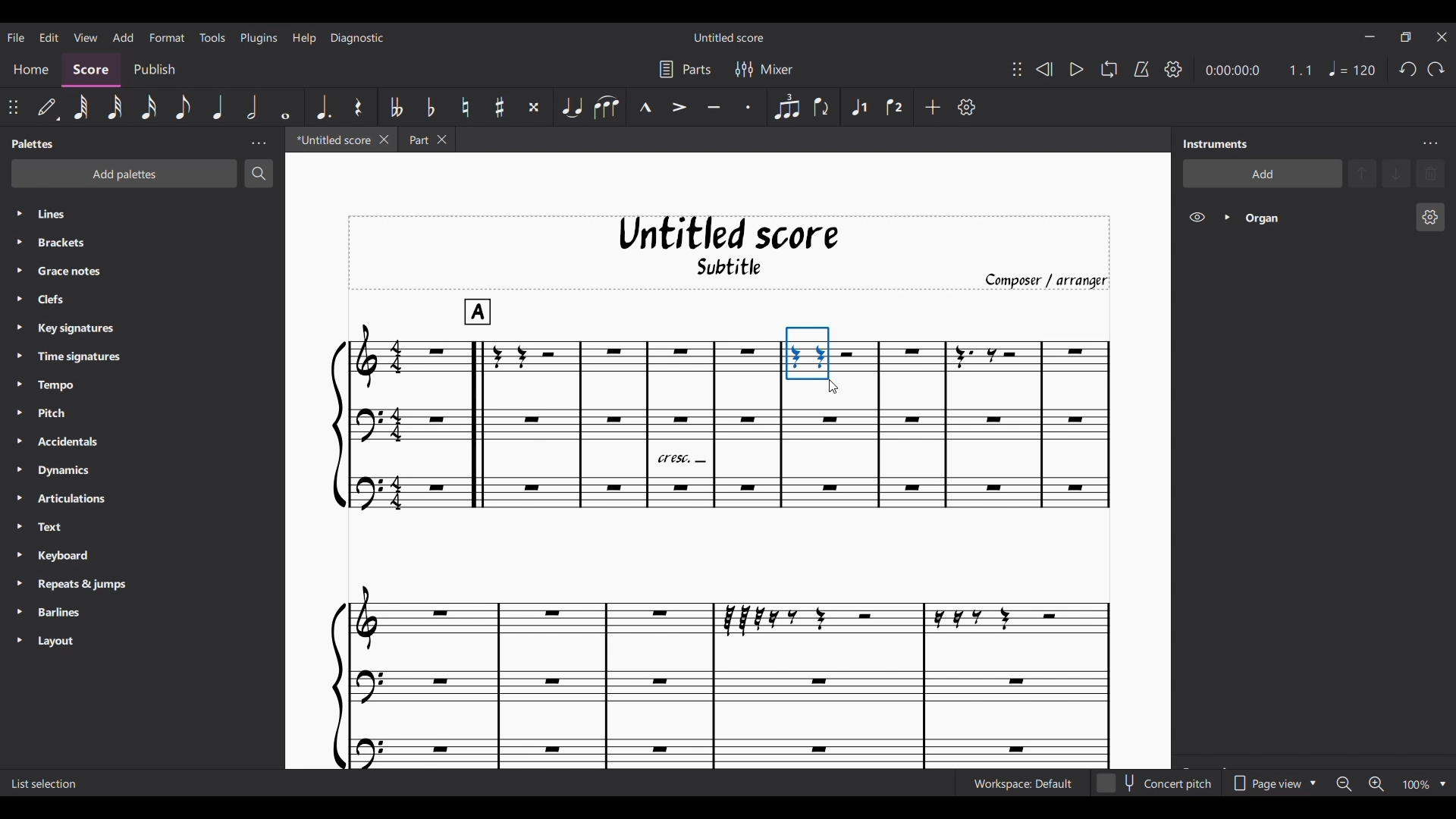 Image resolution: width=1456 pixels, height=819 pixels. Describe the element at coordinates (791, 336) in the screenshot. I see `Cursor` at that location.